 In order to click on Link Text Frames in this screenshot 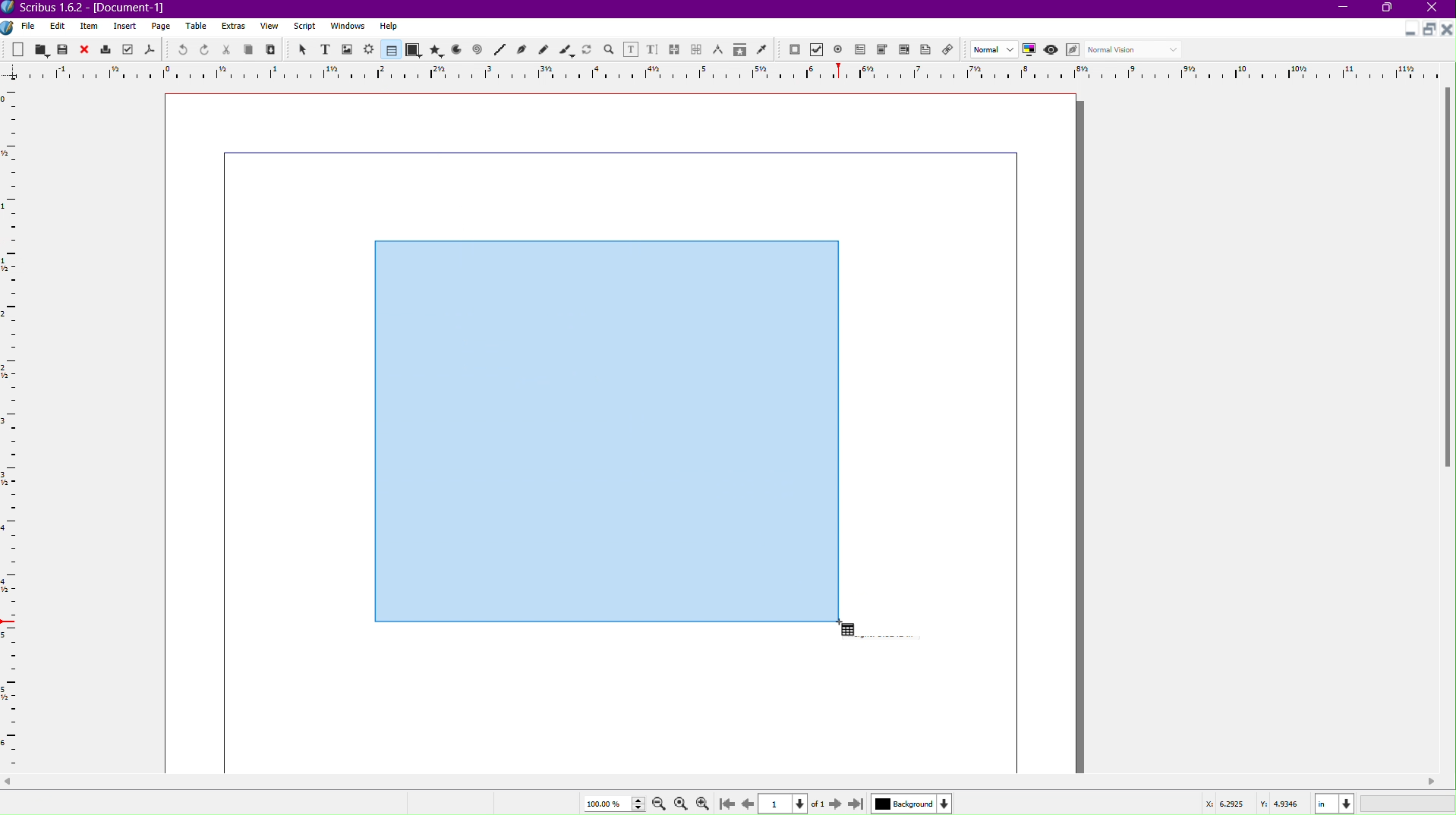, I will do `click(675, 47)`.